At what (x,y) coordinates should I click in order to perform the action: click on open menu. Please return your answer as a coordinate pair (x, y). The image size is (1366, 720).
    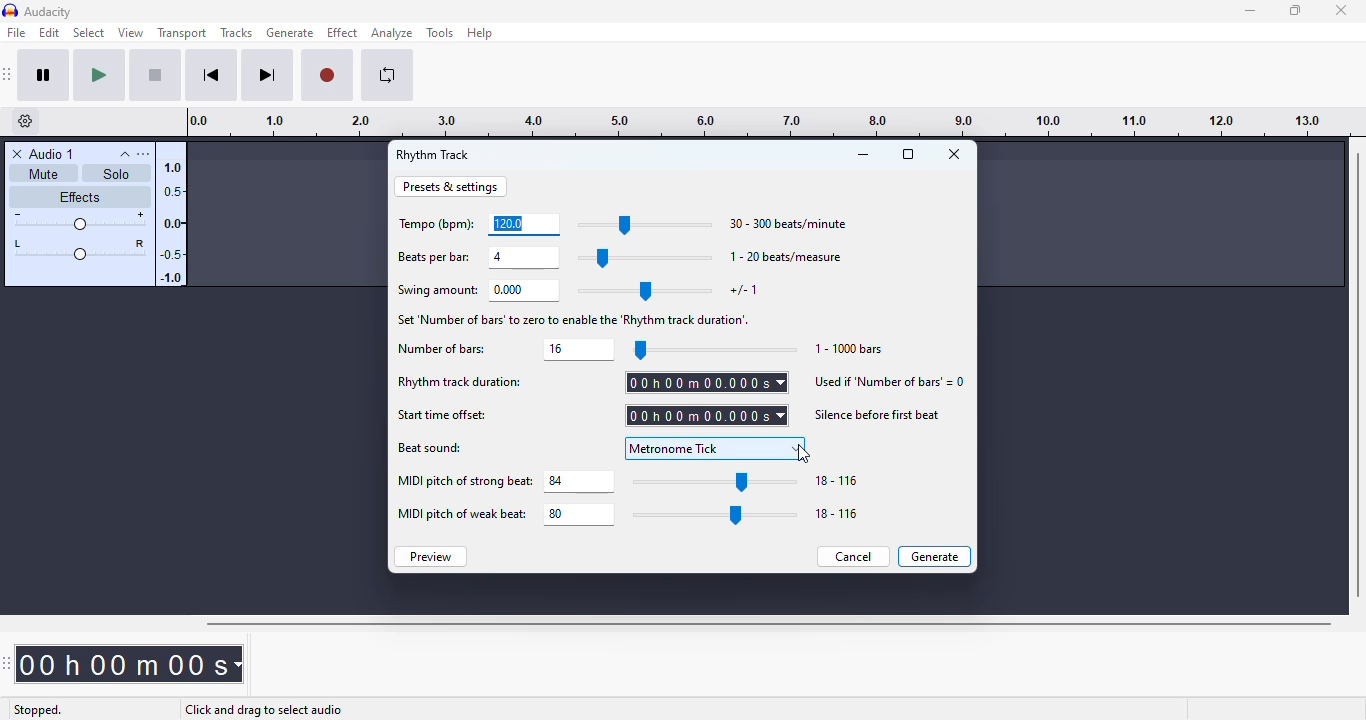
    Looking at the image, I should click on (144, 154).